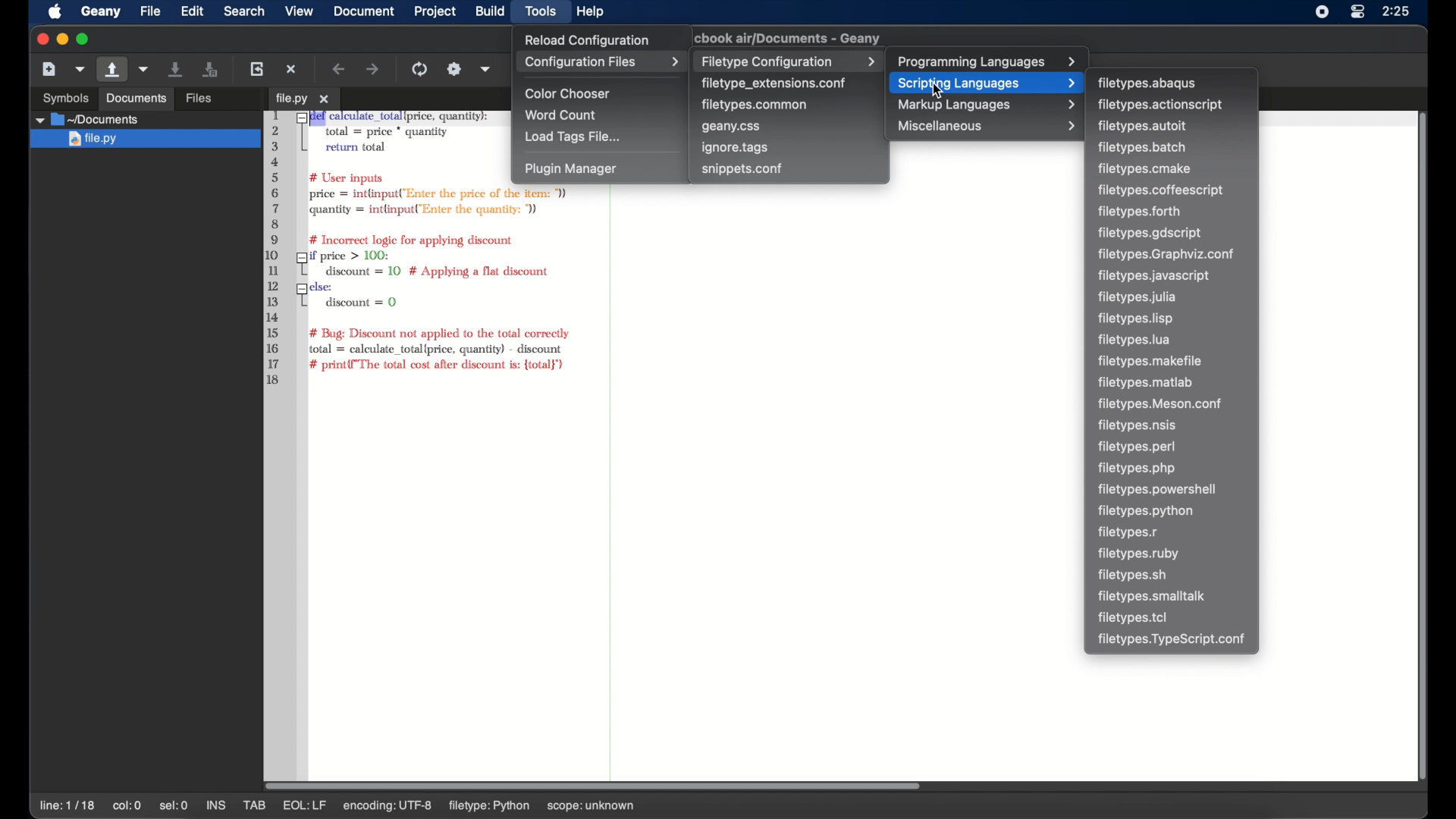  Describe the element at coordinates (145, 70) in the screenshot. I see `open recent file` at that location.